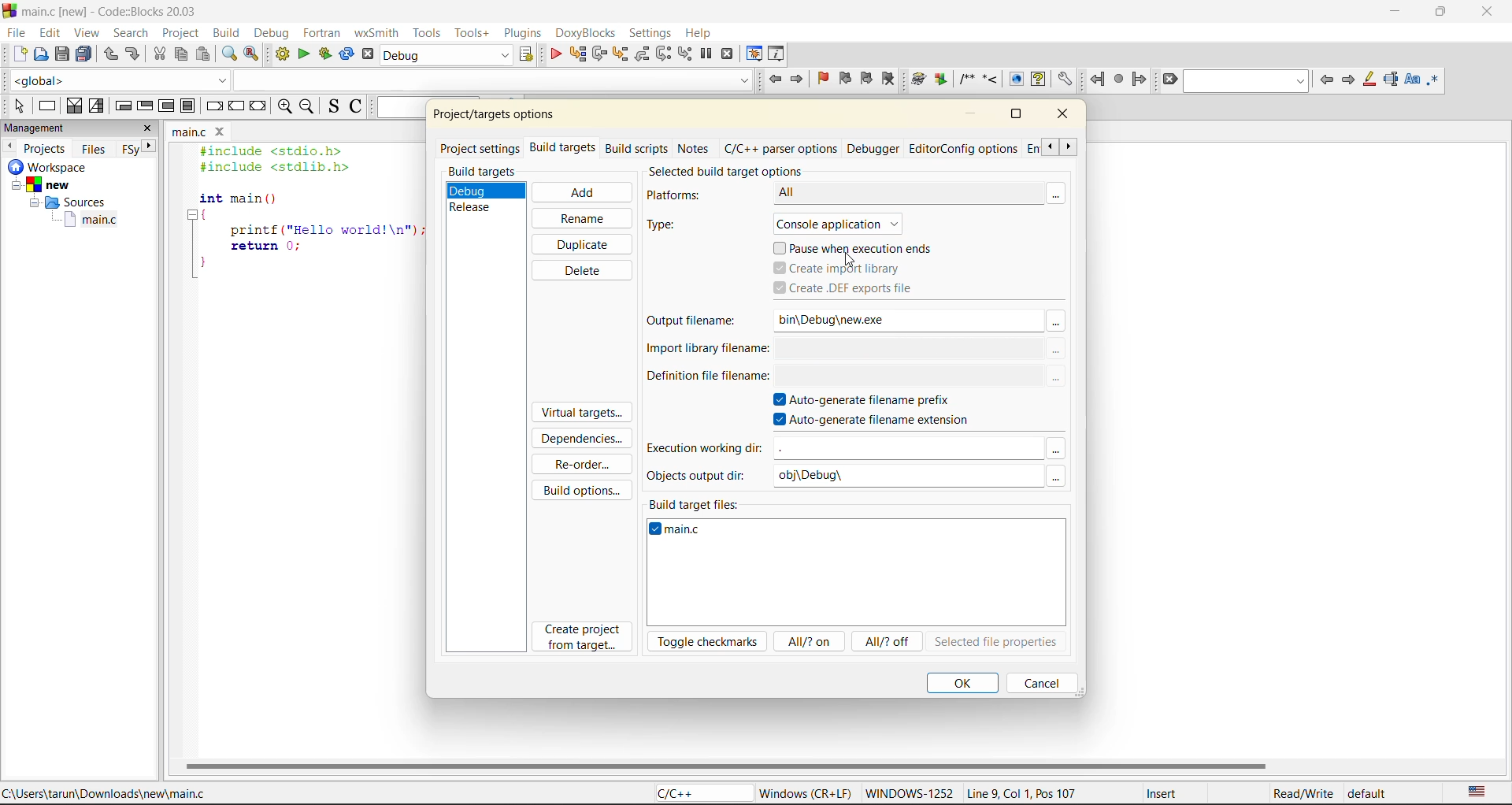  I want to click on next, so click(151, 146).